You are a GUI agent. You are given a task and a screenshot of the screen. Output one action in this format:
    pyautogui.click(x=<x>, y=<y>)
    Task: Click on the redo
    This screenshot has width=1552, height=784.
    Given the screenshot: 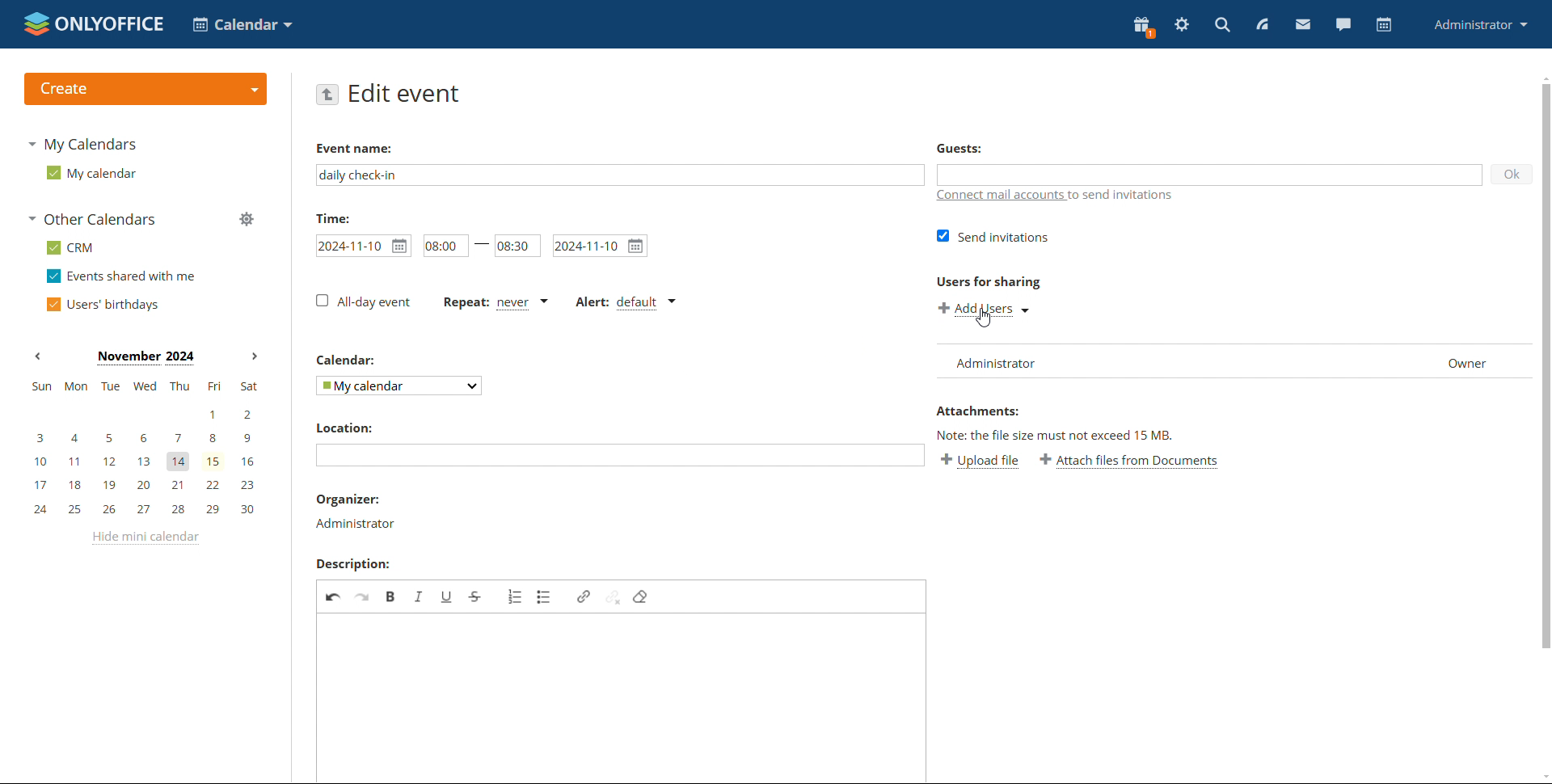 What is the action you would take?
    pyautogui.click(x=364, y=596)
    